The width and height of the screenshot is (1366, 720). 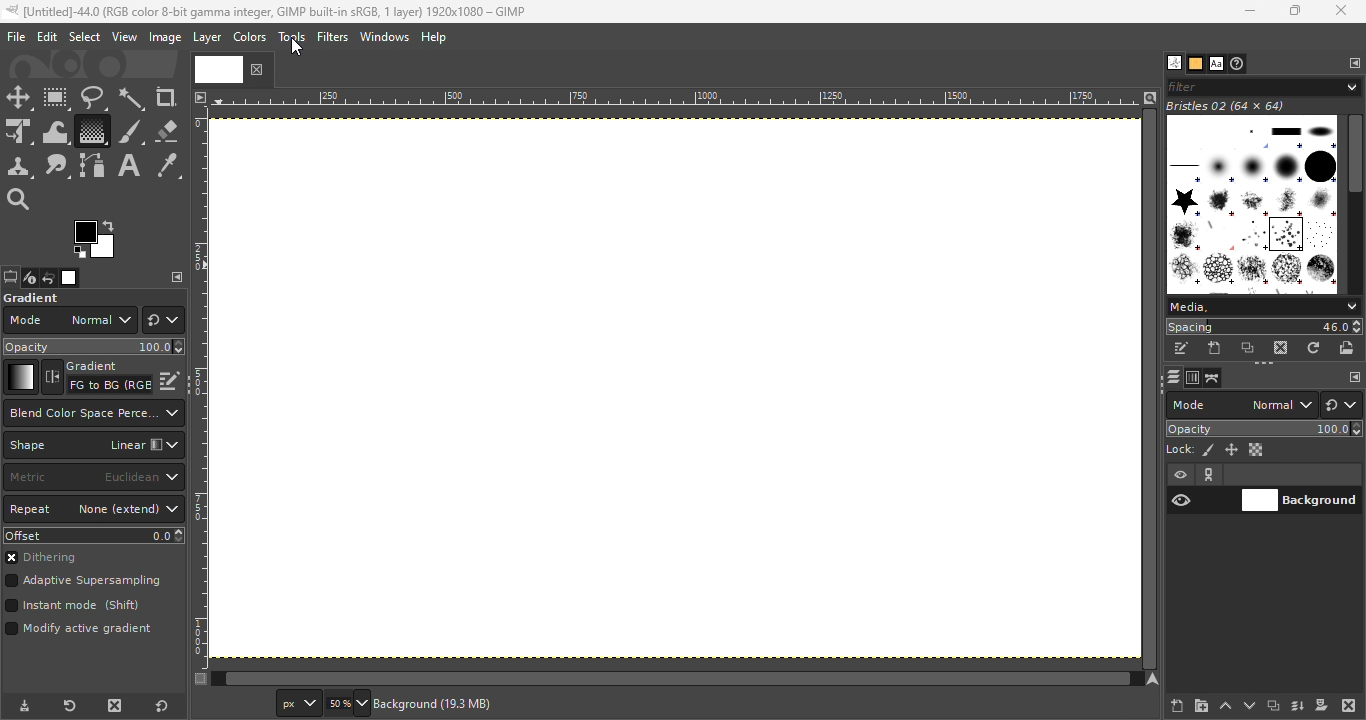 I want to click on Instant mode, so click(x=71, y=607).